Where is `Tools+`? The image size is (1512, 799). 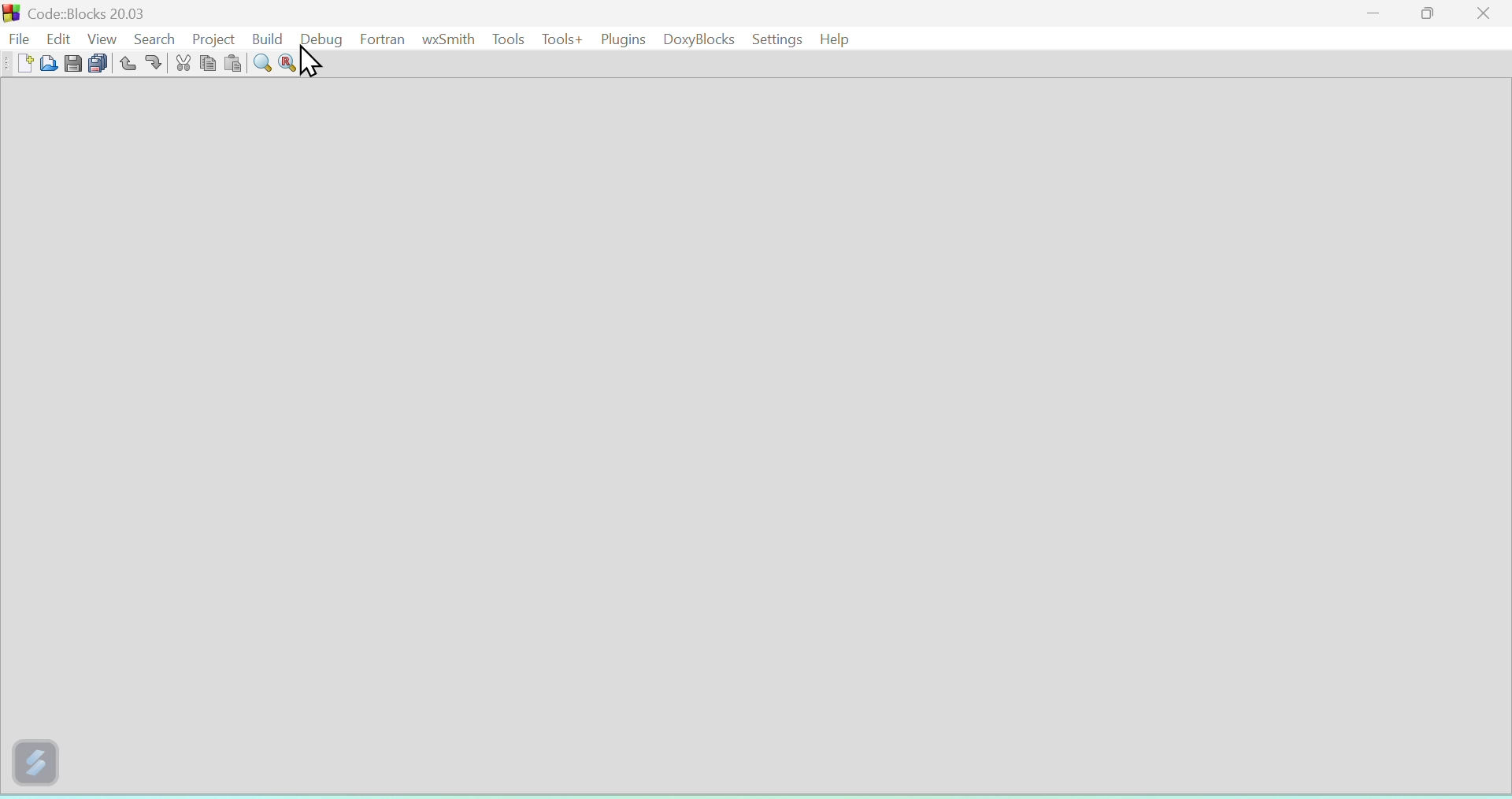
Tools+ is located at coordinates (558, 38).